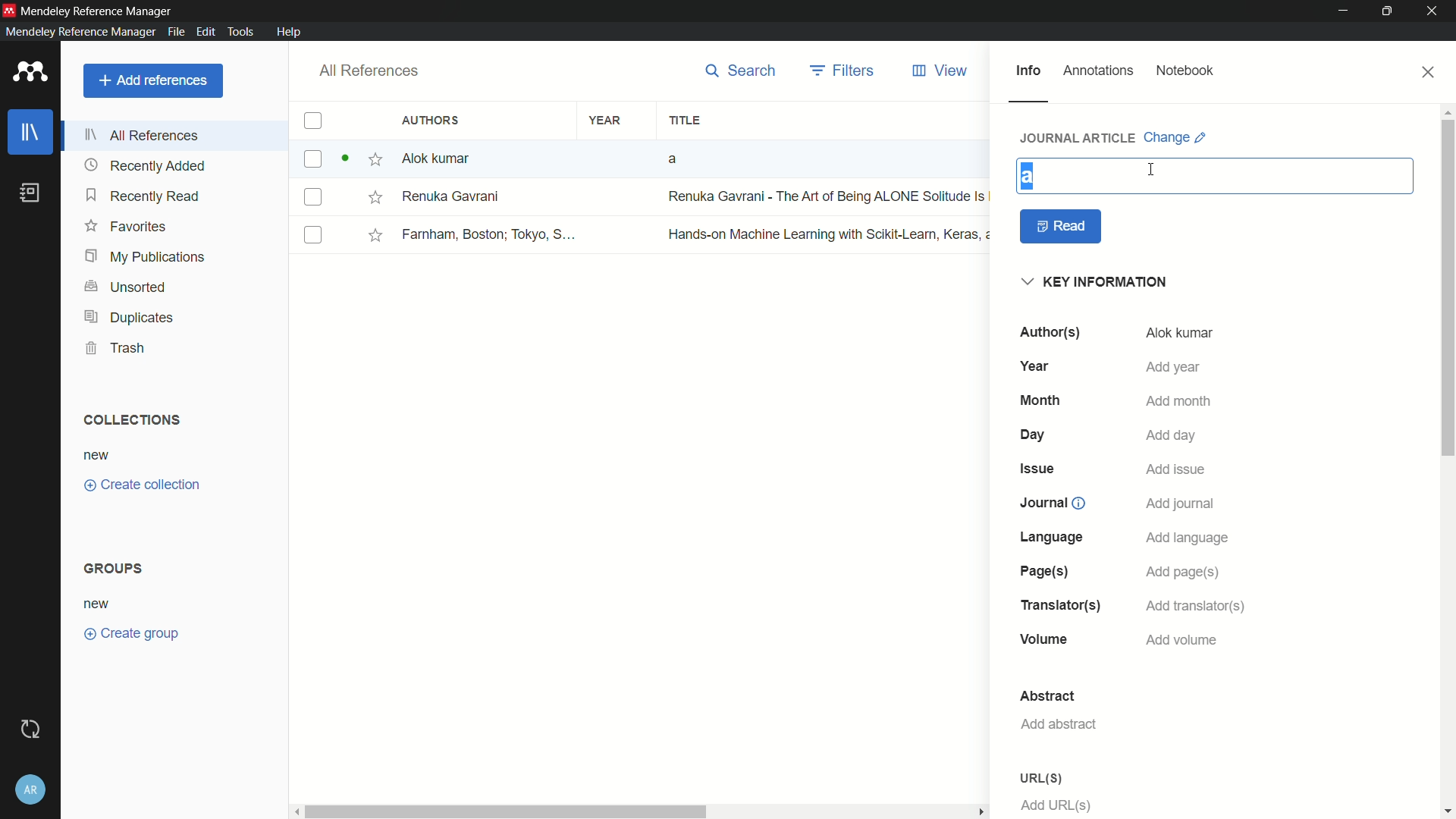  I want to click on library, so click(31, 133).